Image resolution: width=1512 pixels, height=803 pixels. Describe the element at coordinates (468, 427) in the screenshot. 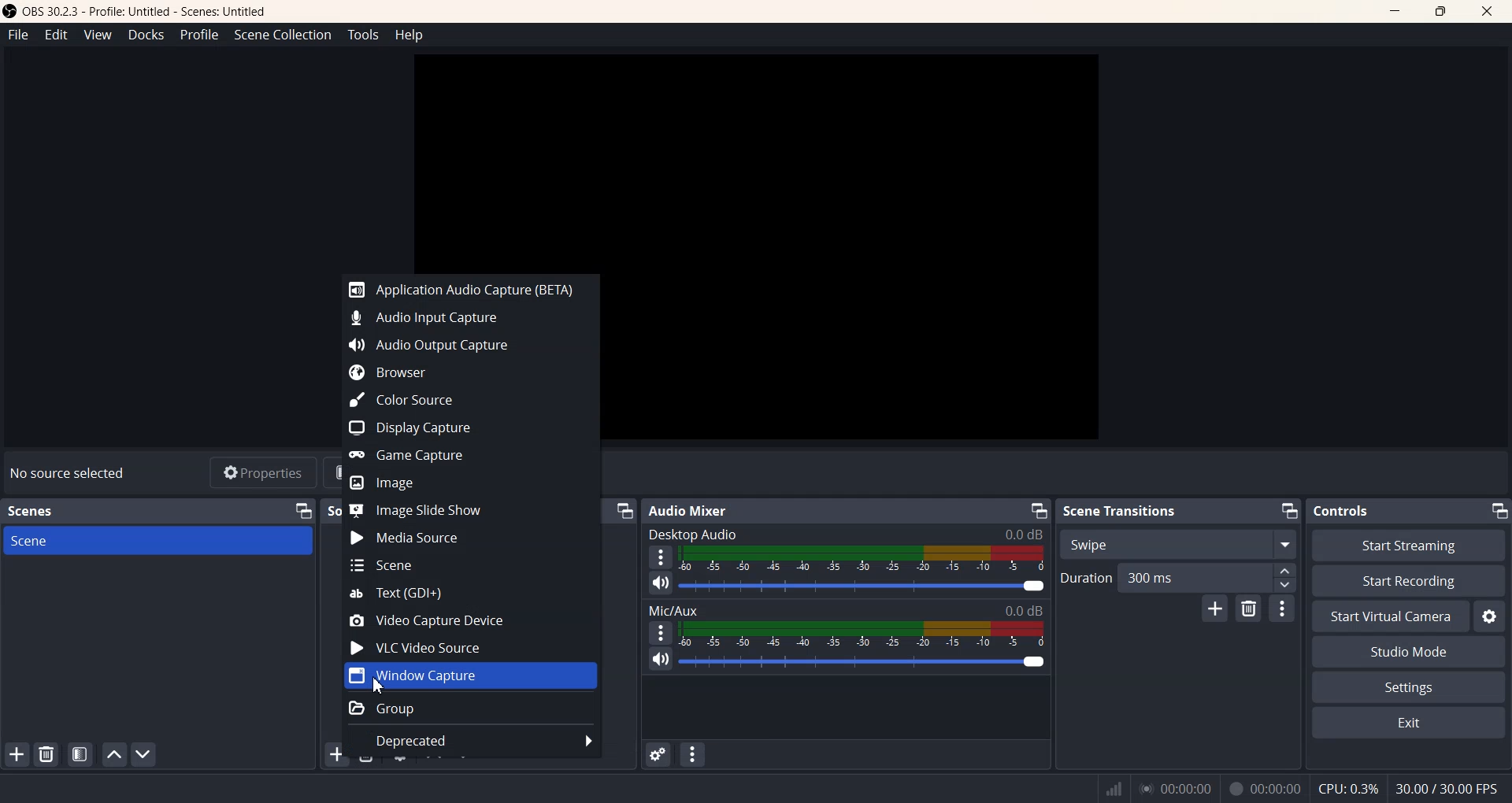

I see `Display Capture` at that location.